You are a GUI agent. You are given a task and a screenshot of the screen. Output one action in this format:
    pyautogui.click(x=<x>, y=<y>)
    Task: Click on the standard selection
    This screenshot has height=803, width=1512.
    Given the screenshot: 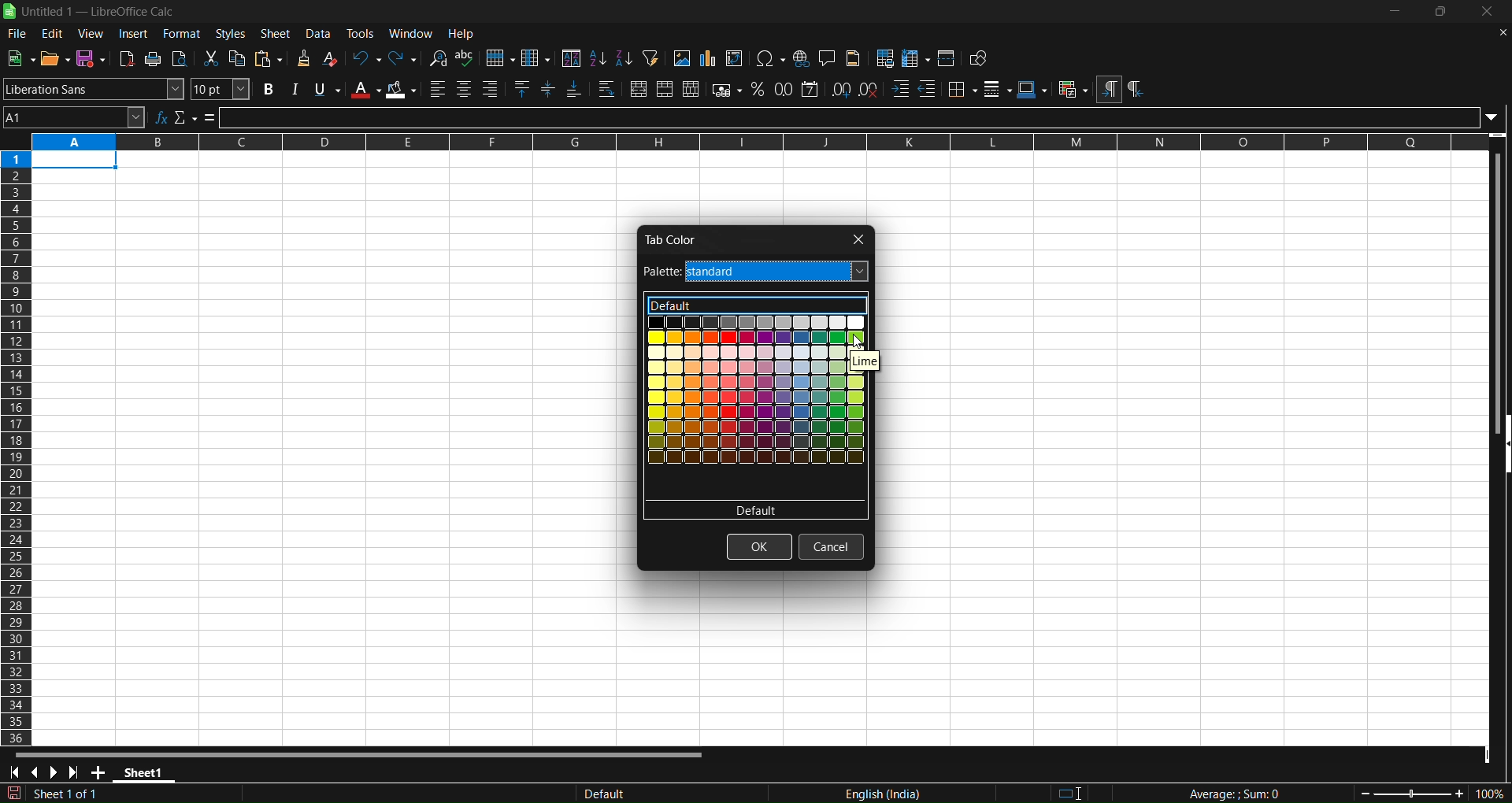 What is the action you would take?
    pyautogui.click(x=1080, y=791)
    